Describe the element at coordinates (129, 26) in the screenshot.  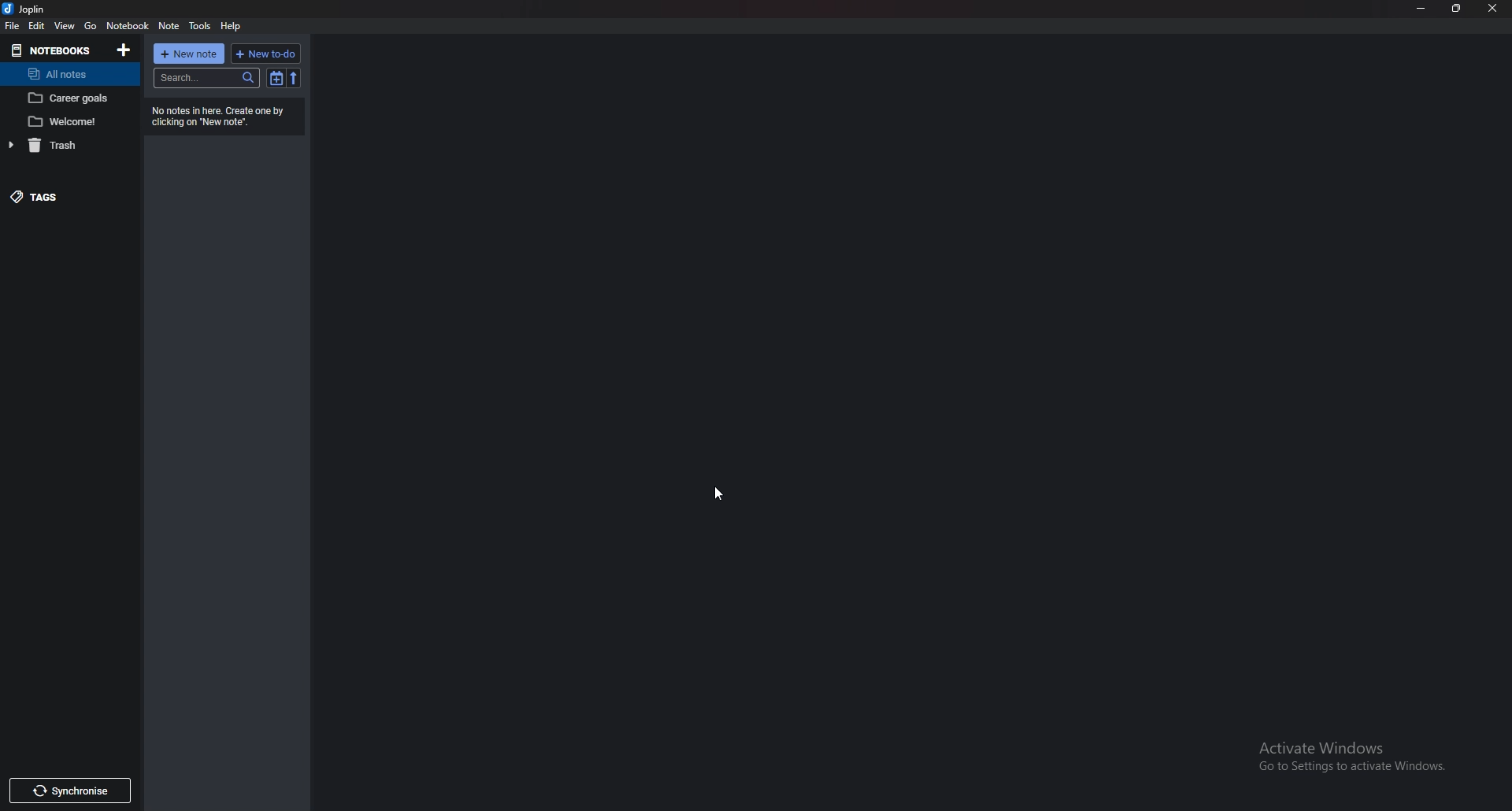
I see `notebook` at that location.